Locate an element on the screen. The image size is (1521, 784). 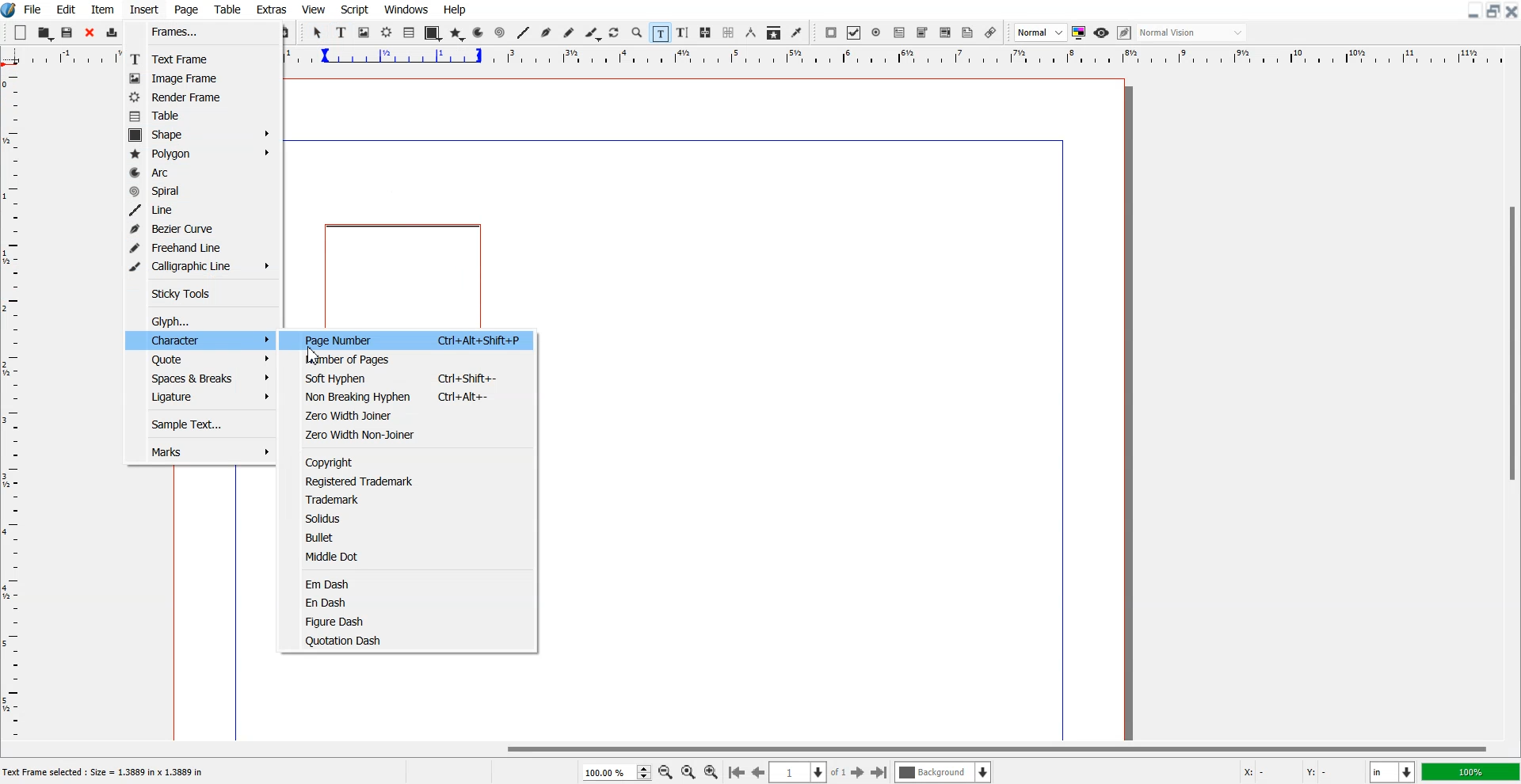
Text Frame is located at coordinates (342, 32).